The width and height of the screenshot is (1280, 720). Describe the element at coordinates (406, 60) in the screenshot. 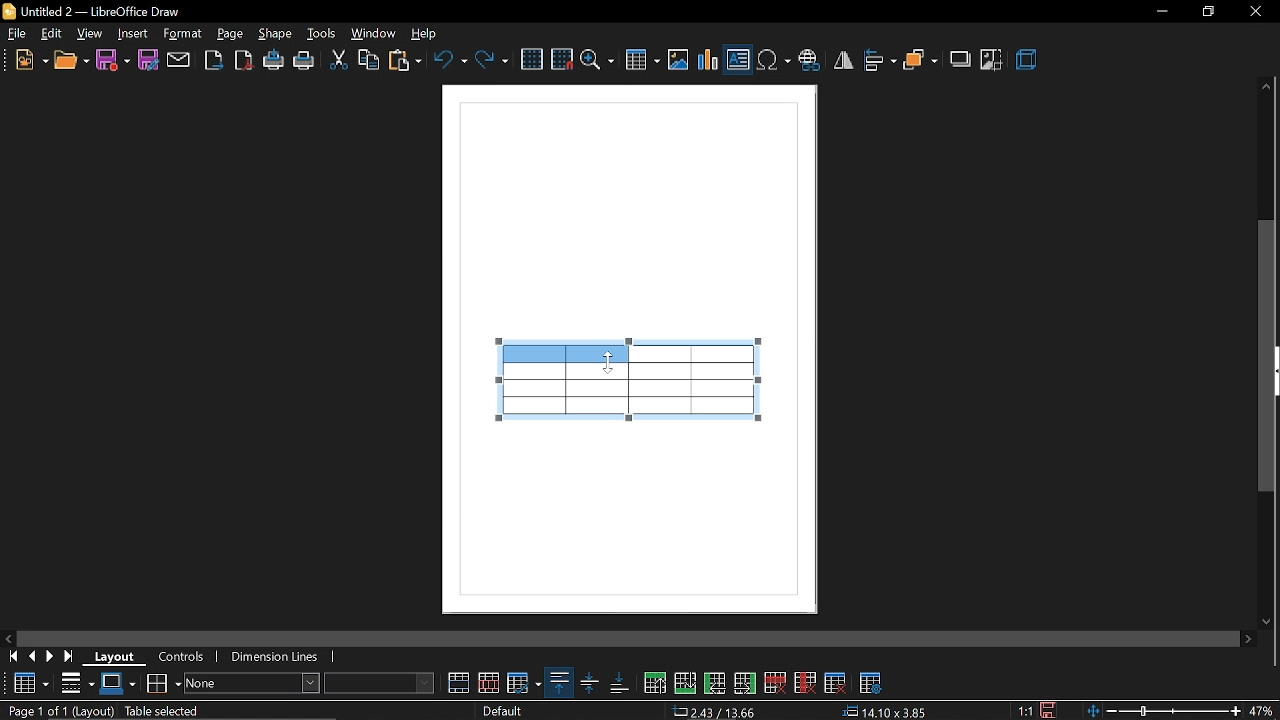

I see `paste` at that location.